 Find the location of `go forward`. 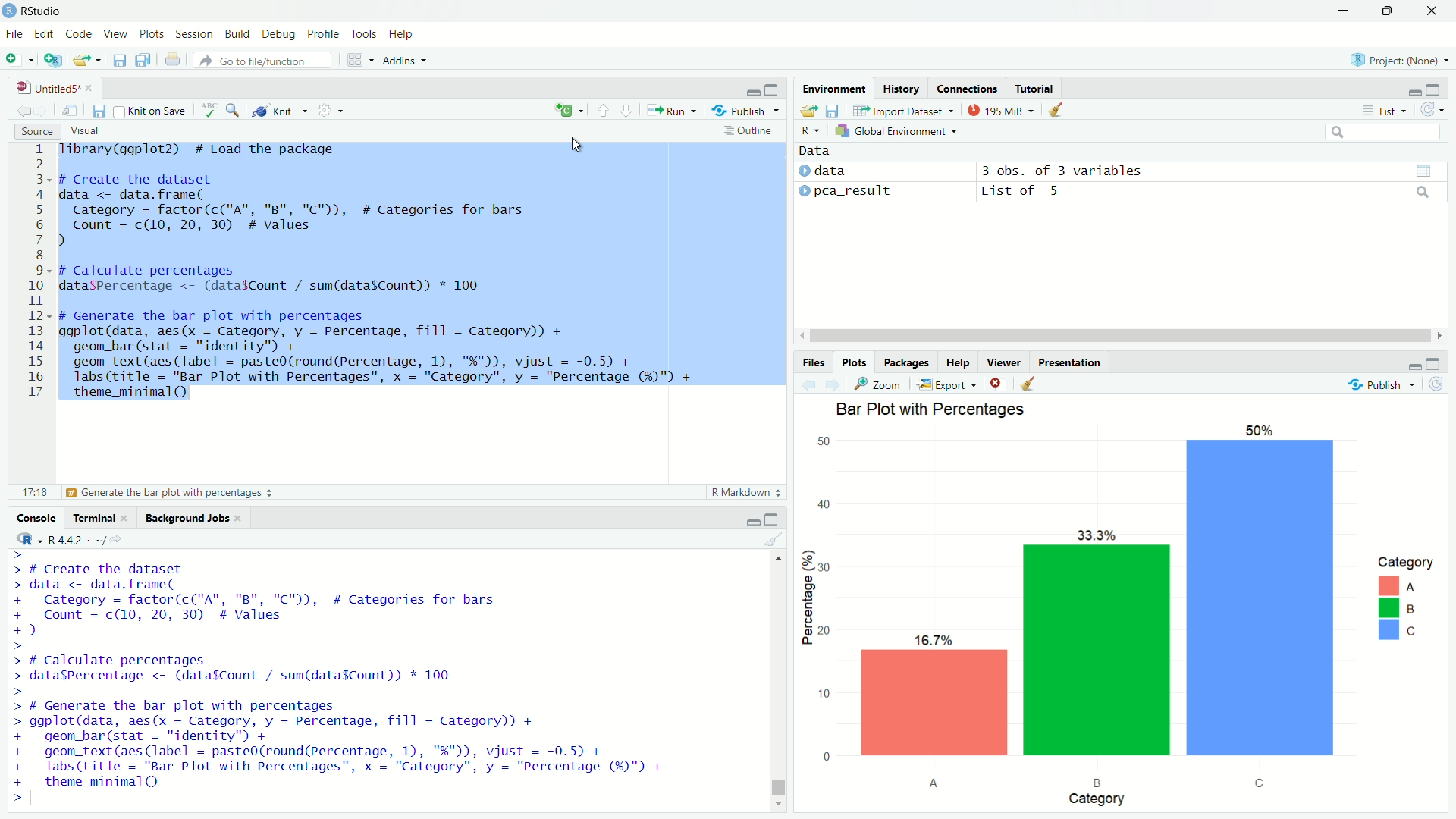

go forward is located at coordinates (43, 111).